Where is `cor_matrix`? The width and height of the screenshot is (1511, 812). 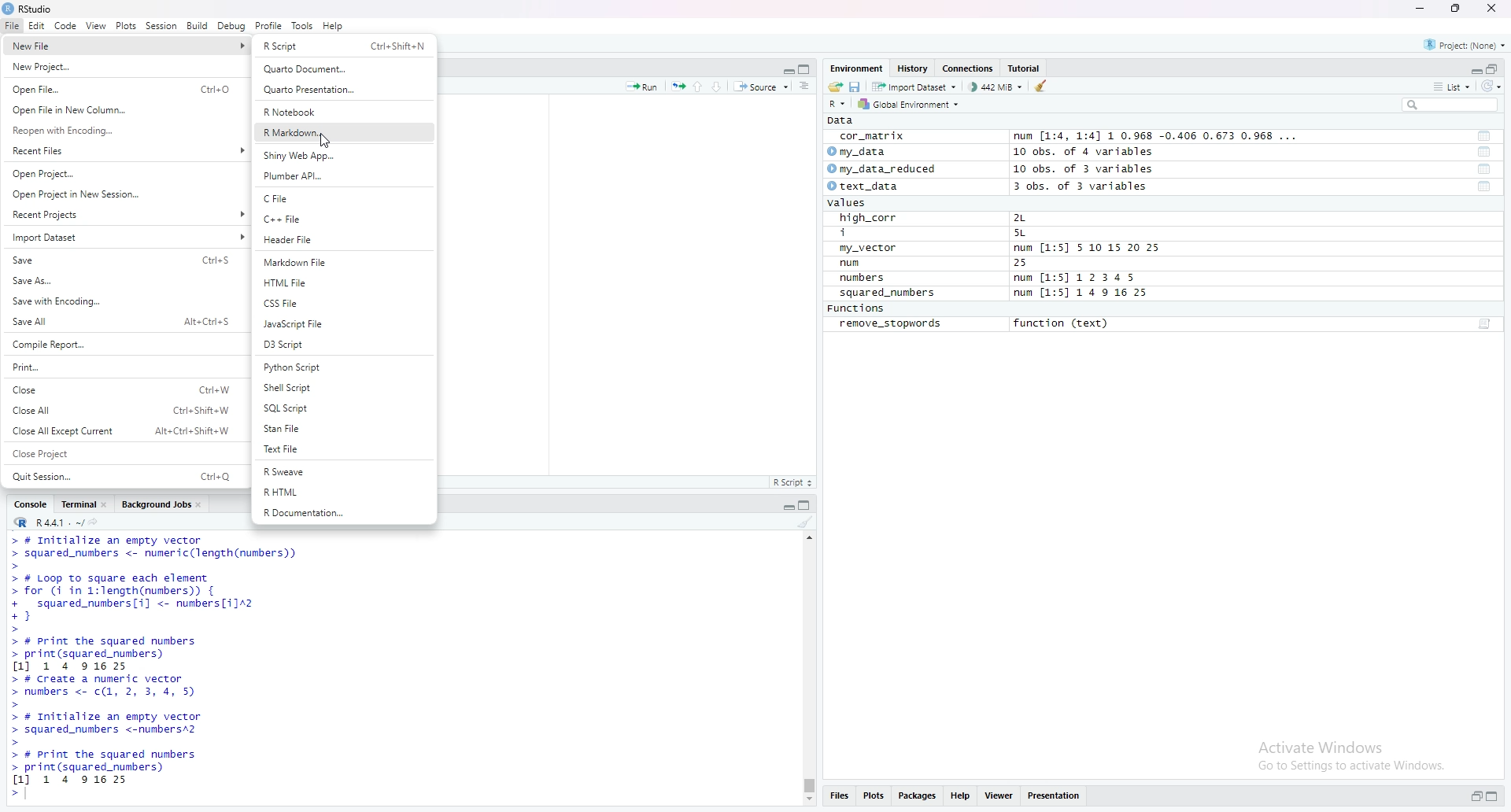 cor_matrix is located at coordinates (873, 135).